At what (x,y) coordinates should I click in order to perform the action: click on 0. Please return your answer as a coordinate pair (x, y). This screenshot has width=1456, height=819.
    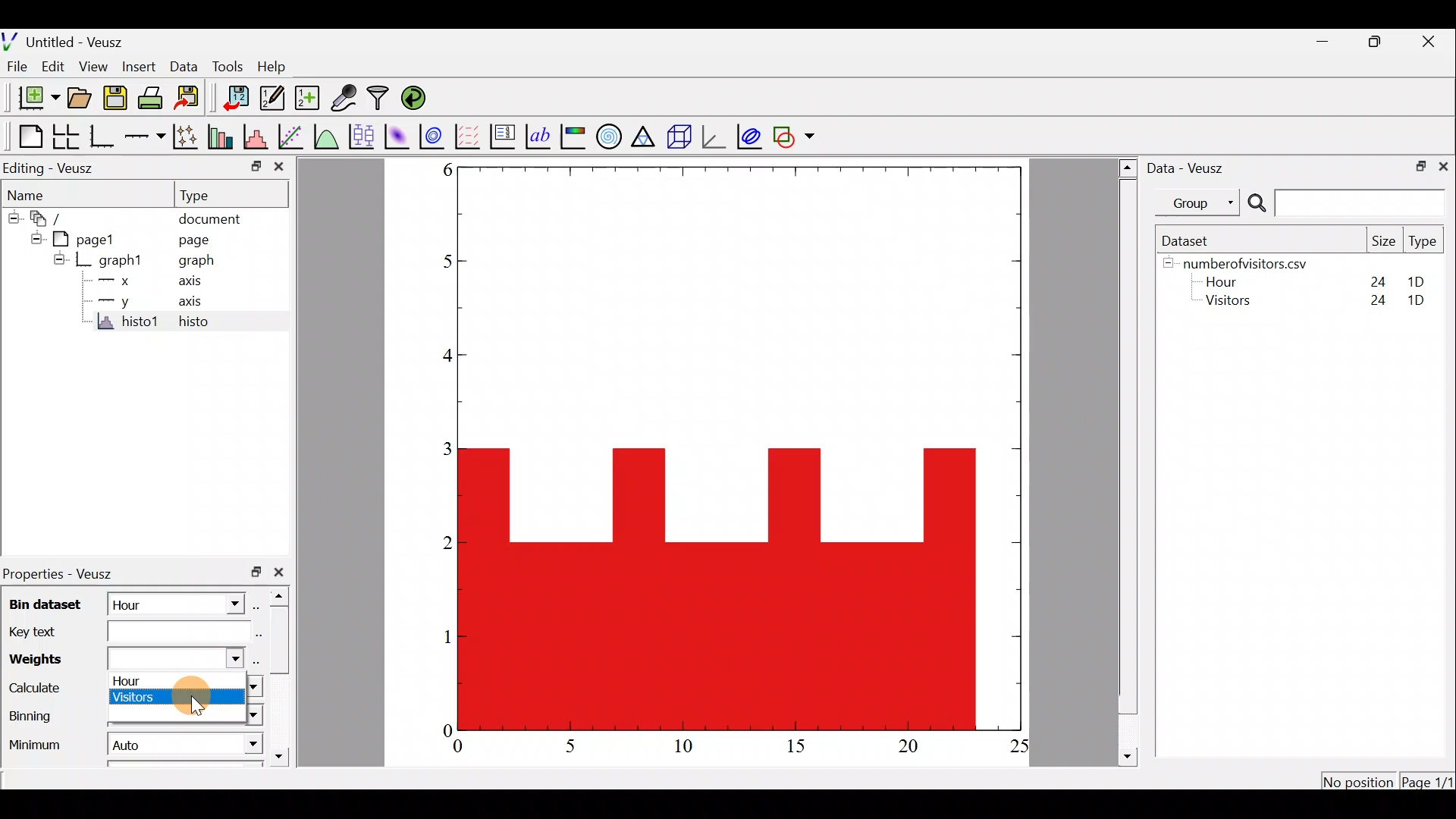
    Looking at the image, I should click on (438, 731).